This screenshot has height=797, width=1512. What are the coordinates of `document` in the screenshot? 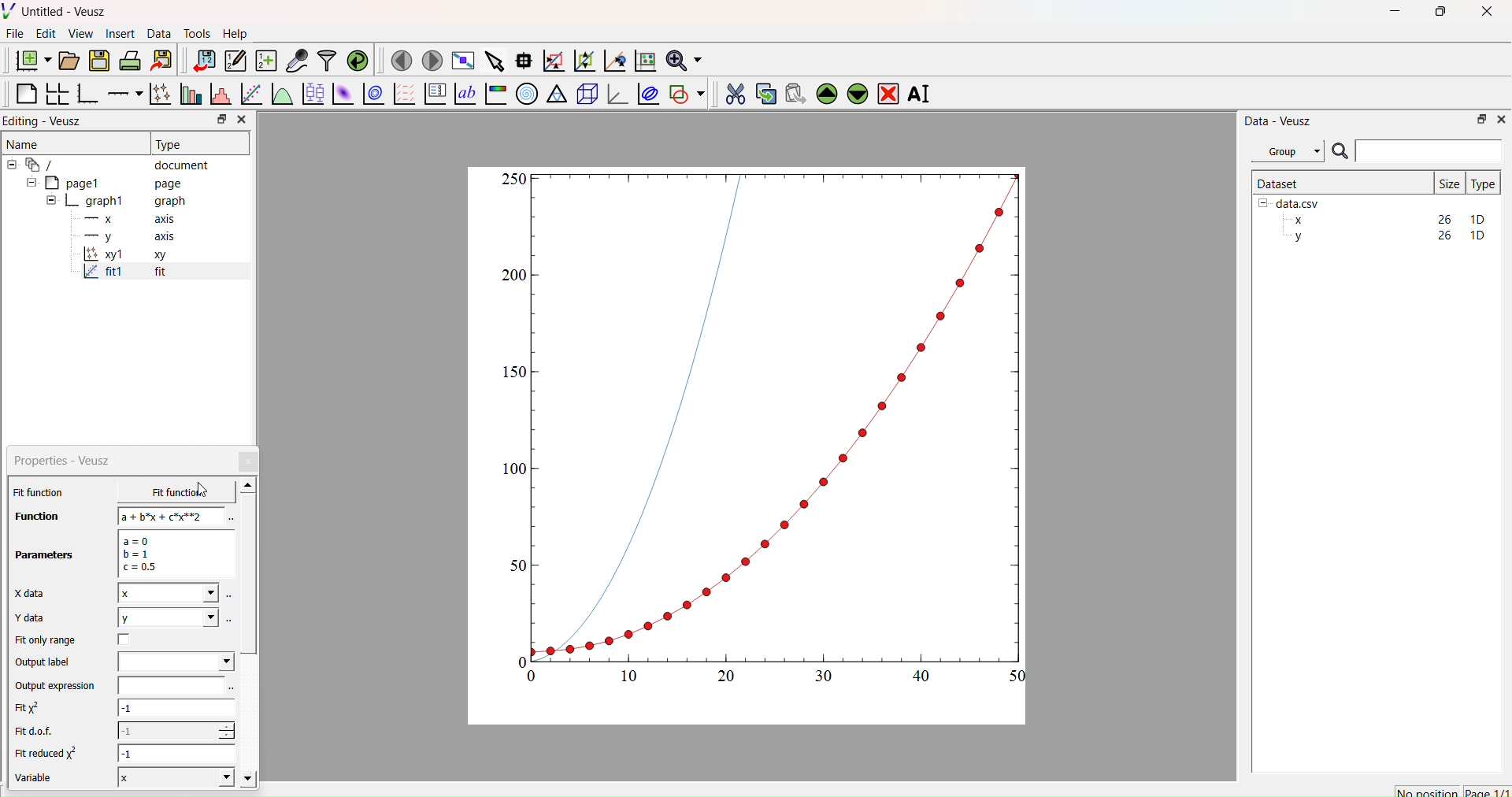 It's located at (114, 164).